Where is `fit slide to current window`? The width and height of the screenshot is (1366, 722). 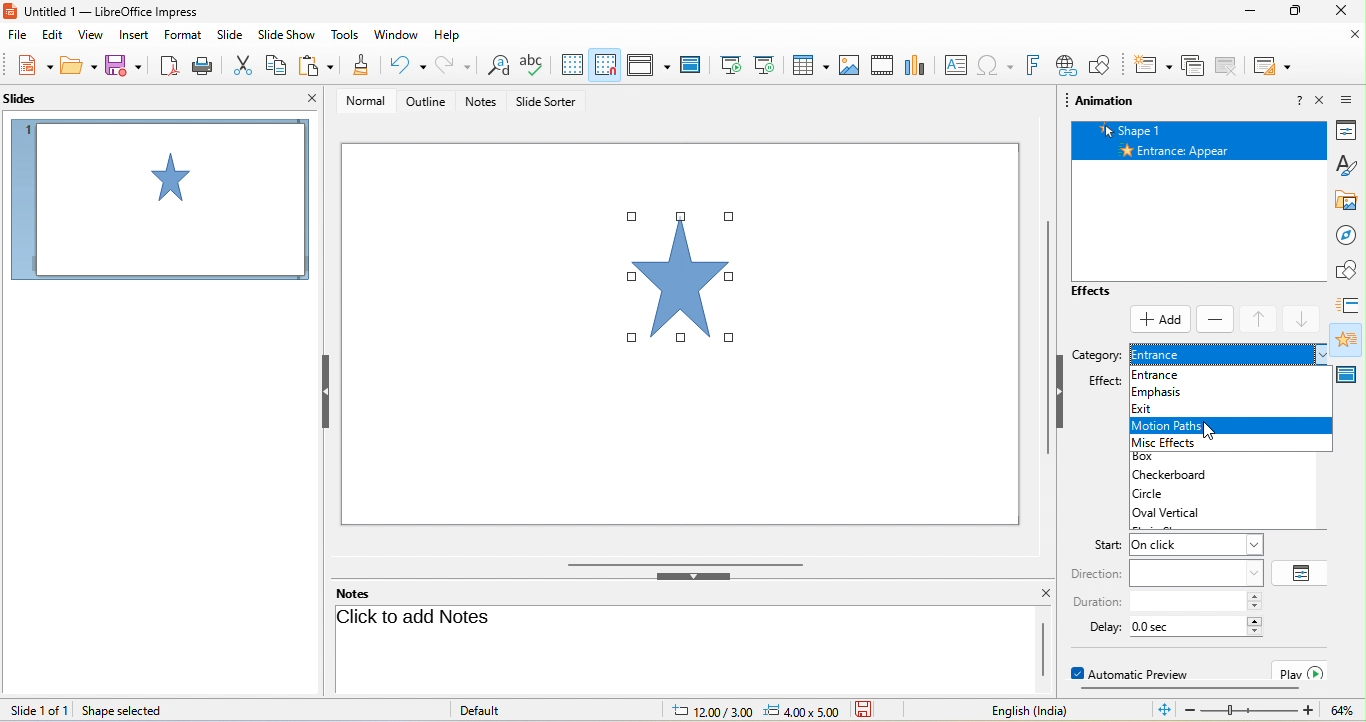 fit slide to current window is located at coordinates (1164, 711).